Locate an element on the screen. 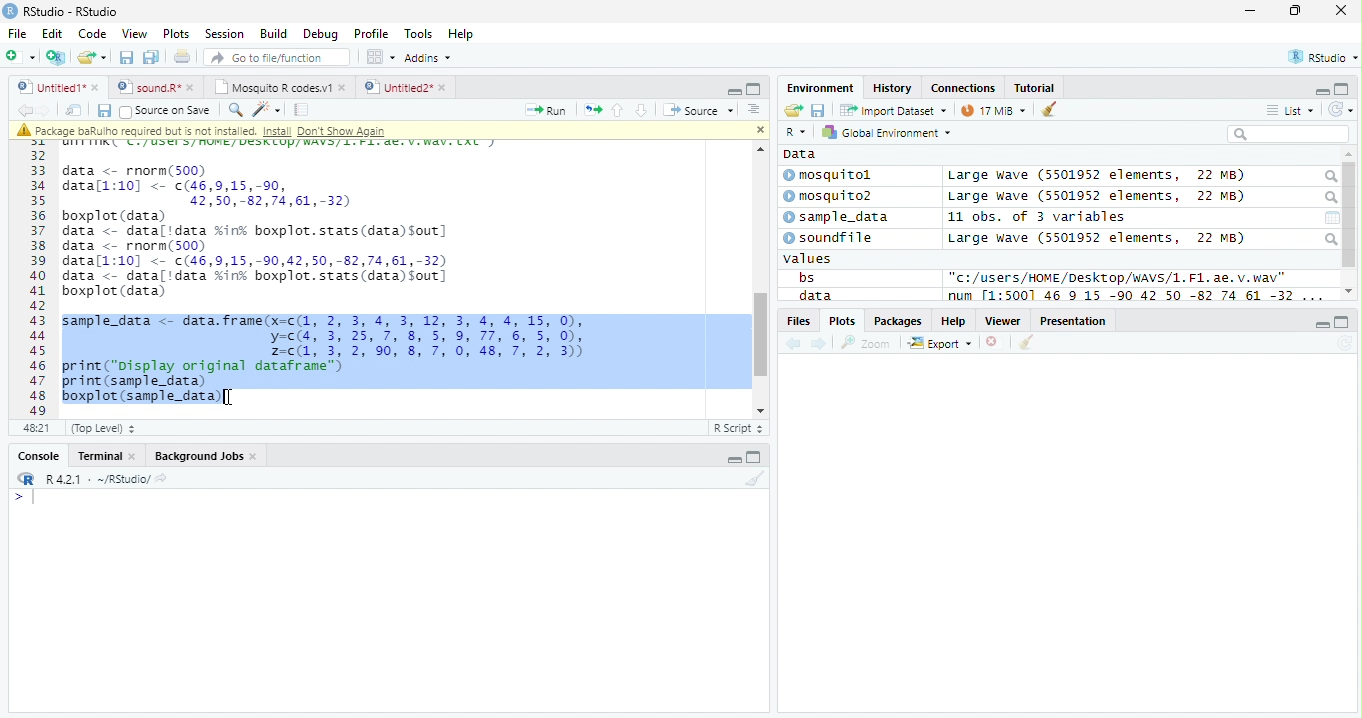 The height and width of the screenshot is (718, 1362). Help is located at coordinates (954, 320).